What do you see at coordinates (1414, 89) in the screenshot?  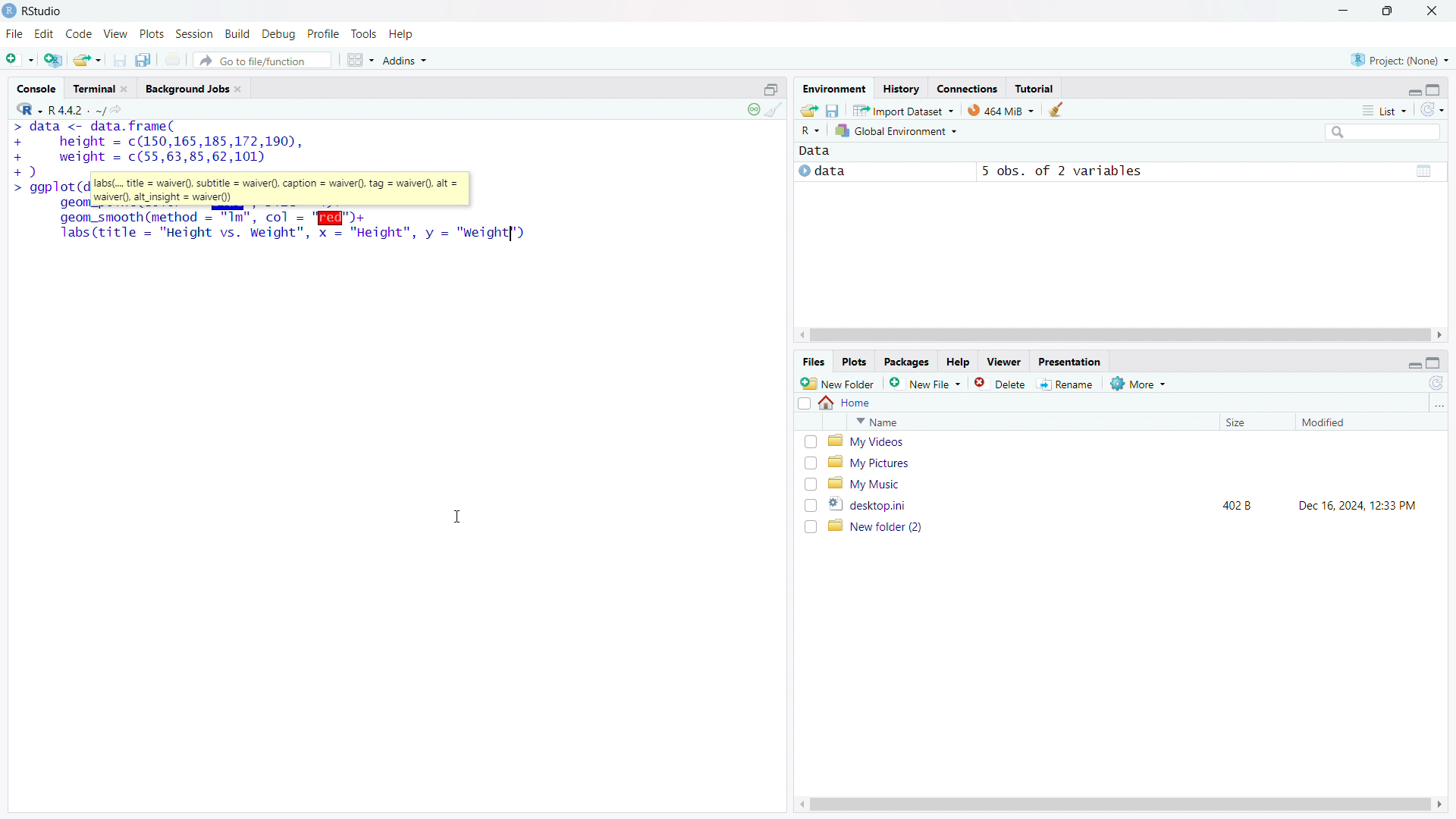 I see `minimize pane` at bounding box center [1414, 89].